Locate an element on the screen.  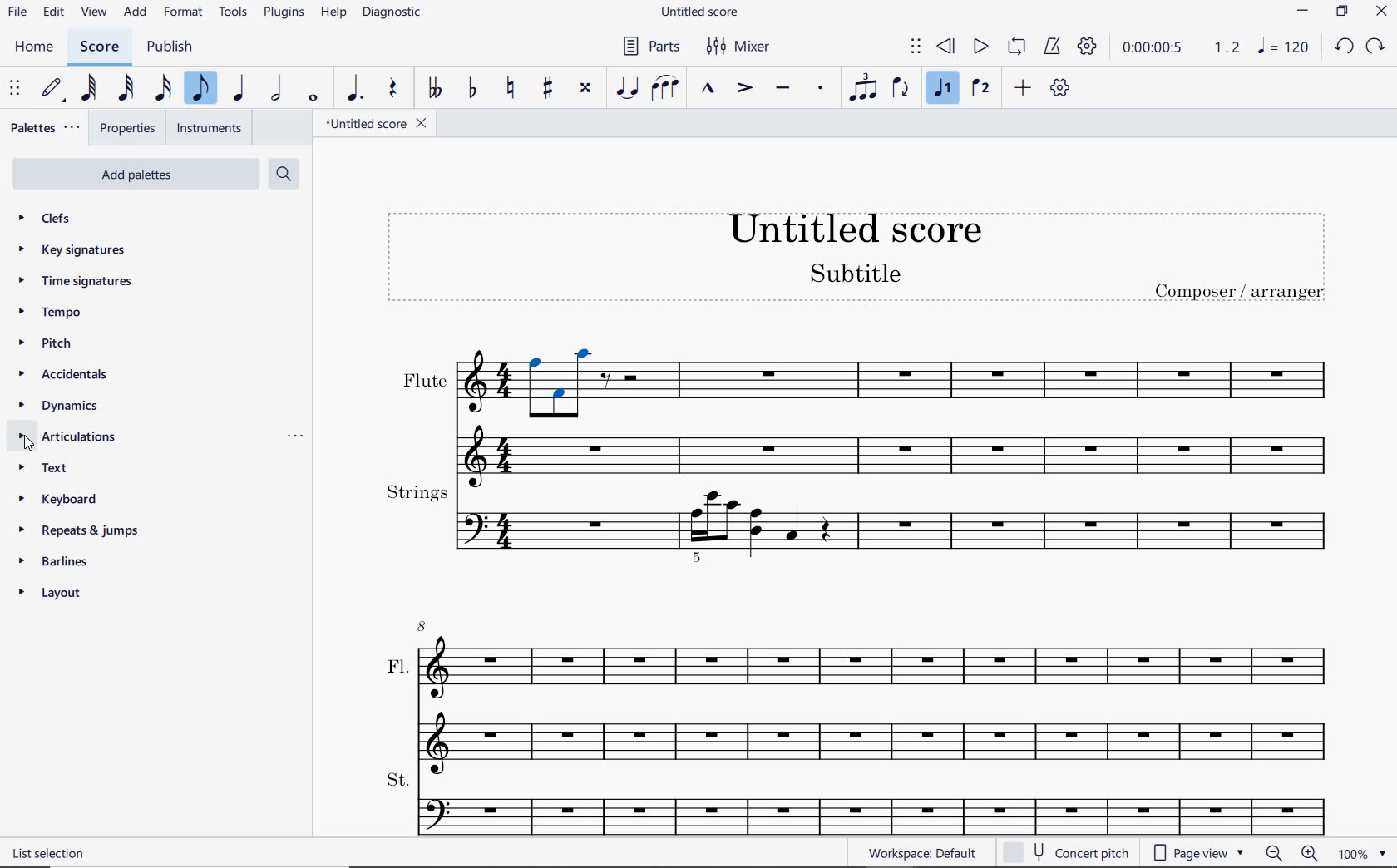
32ND NOTE is located at coordinates (124, 91).